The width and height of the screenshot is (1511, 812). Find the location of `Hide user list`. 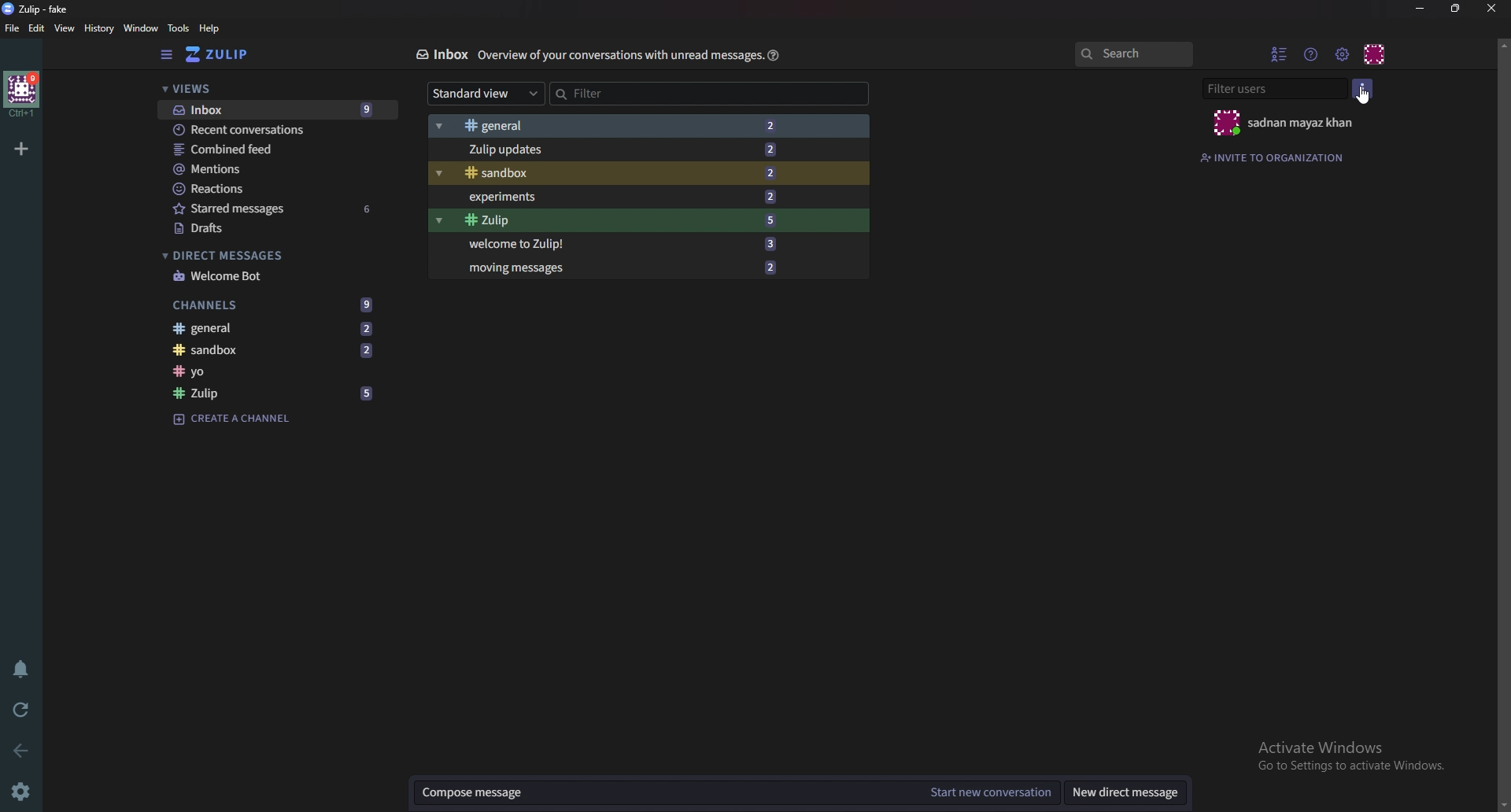

Hide user list is located at coordinates (1276, 54).